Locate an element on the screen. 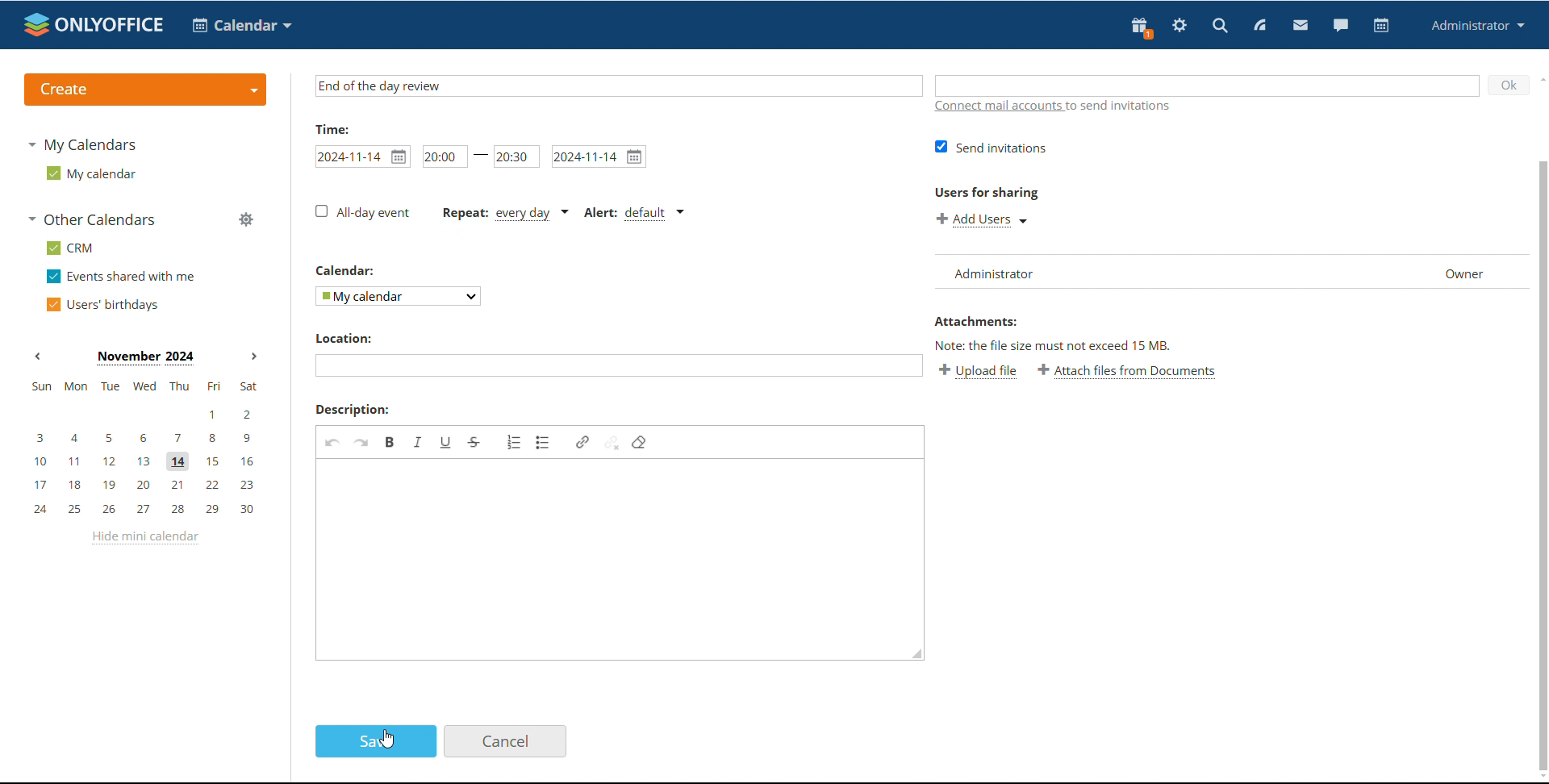 The height and width of the screenshot is (784, 1549). Add description is located at coordinates (612, 553).